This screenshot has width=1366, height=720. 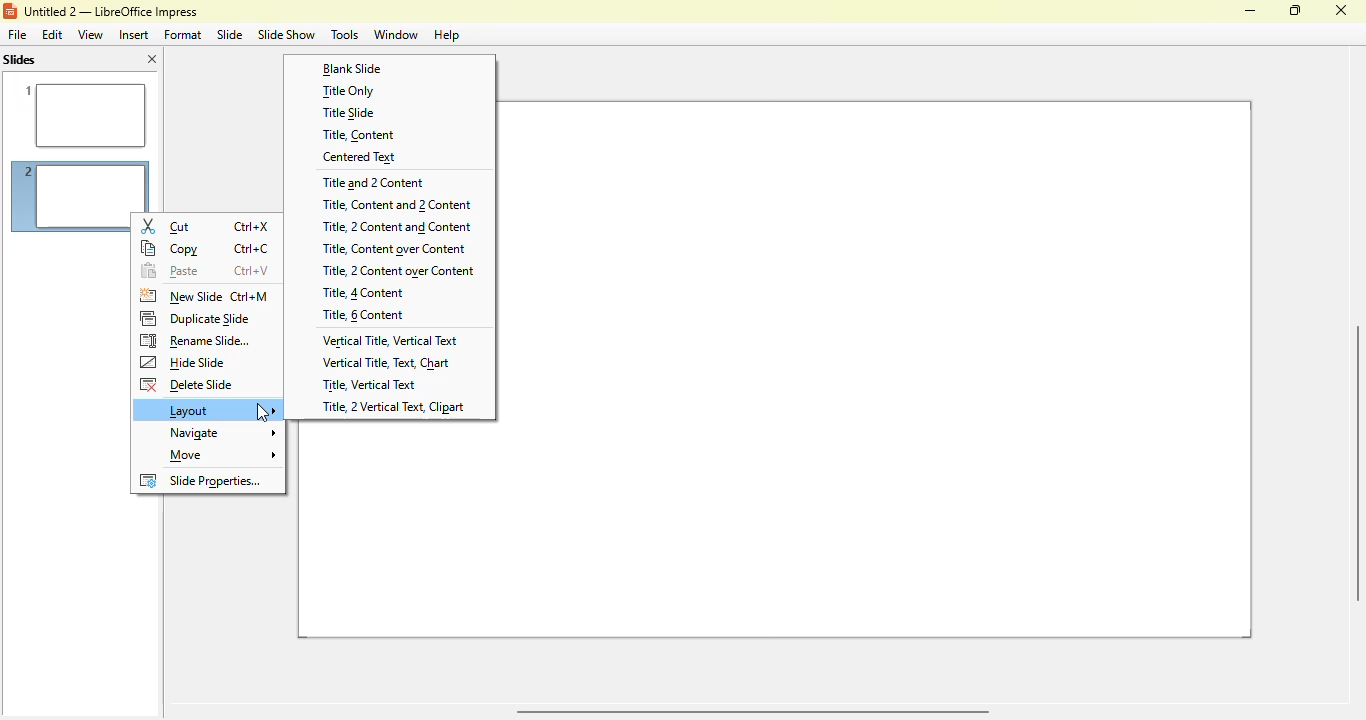 What do you see at coordinates (1250, 11) in the screenshot?
I see `minimize` at bounding box center [1250, 11].